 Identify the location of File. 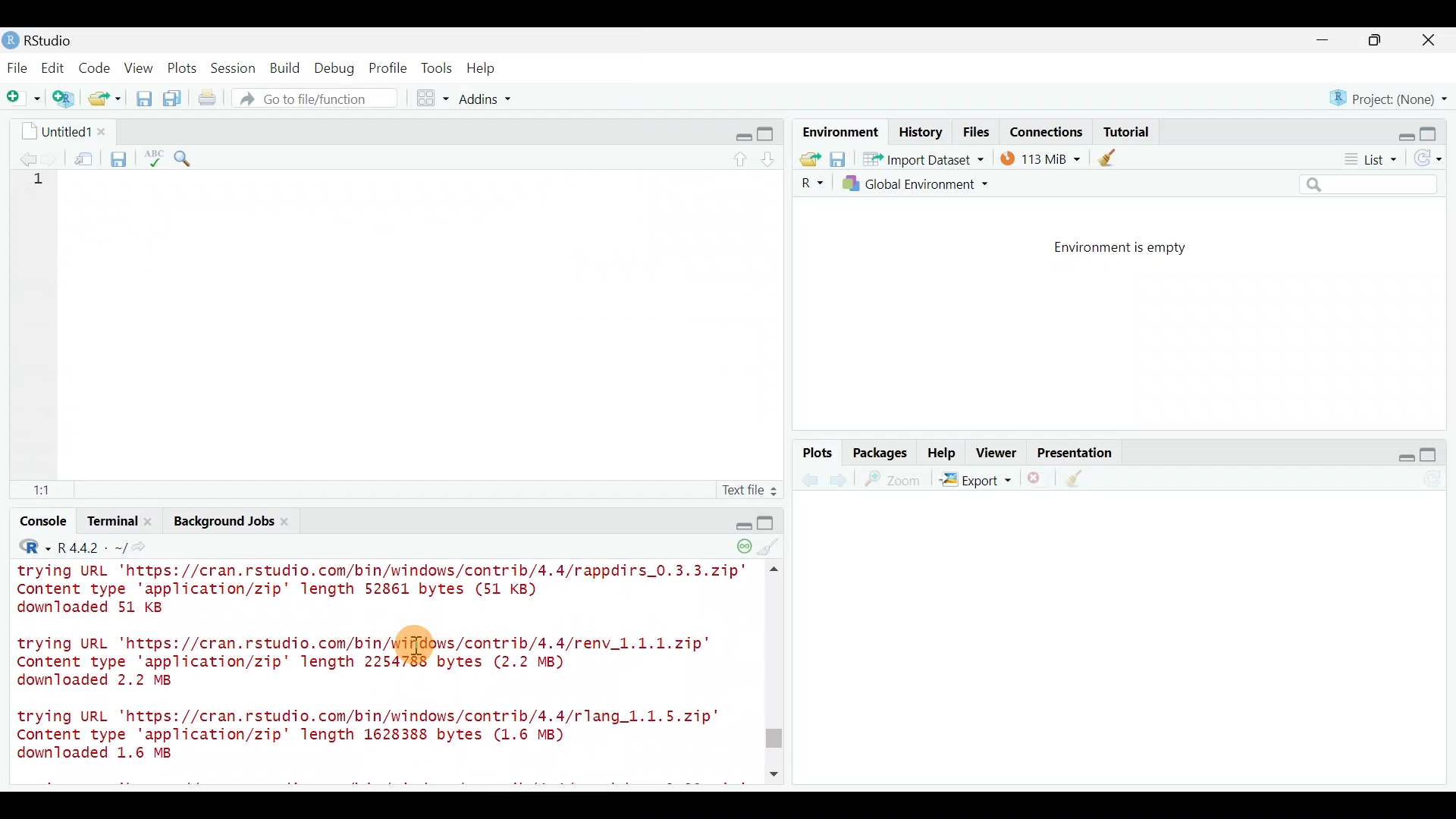
(17, 67).